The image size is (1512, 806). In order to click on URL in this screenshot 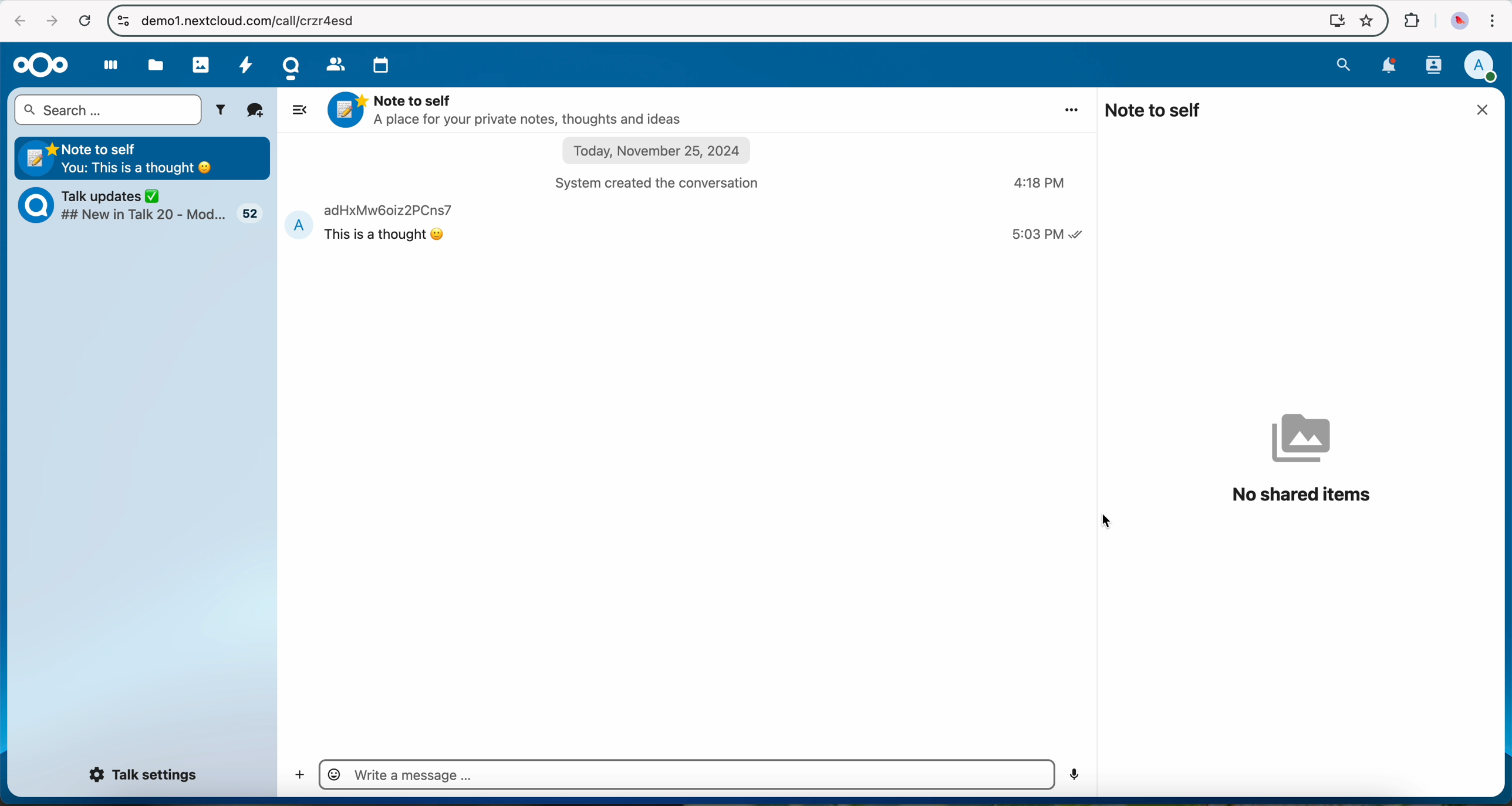, I will do `click(261, 20)`.